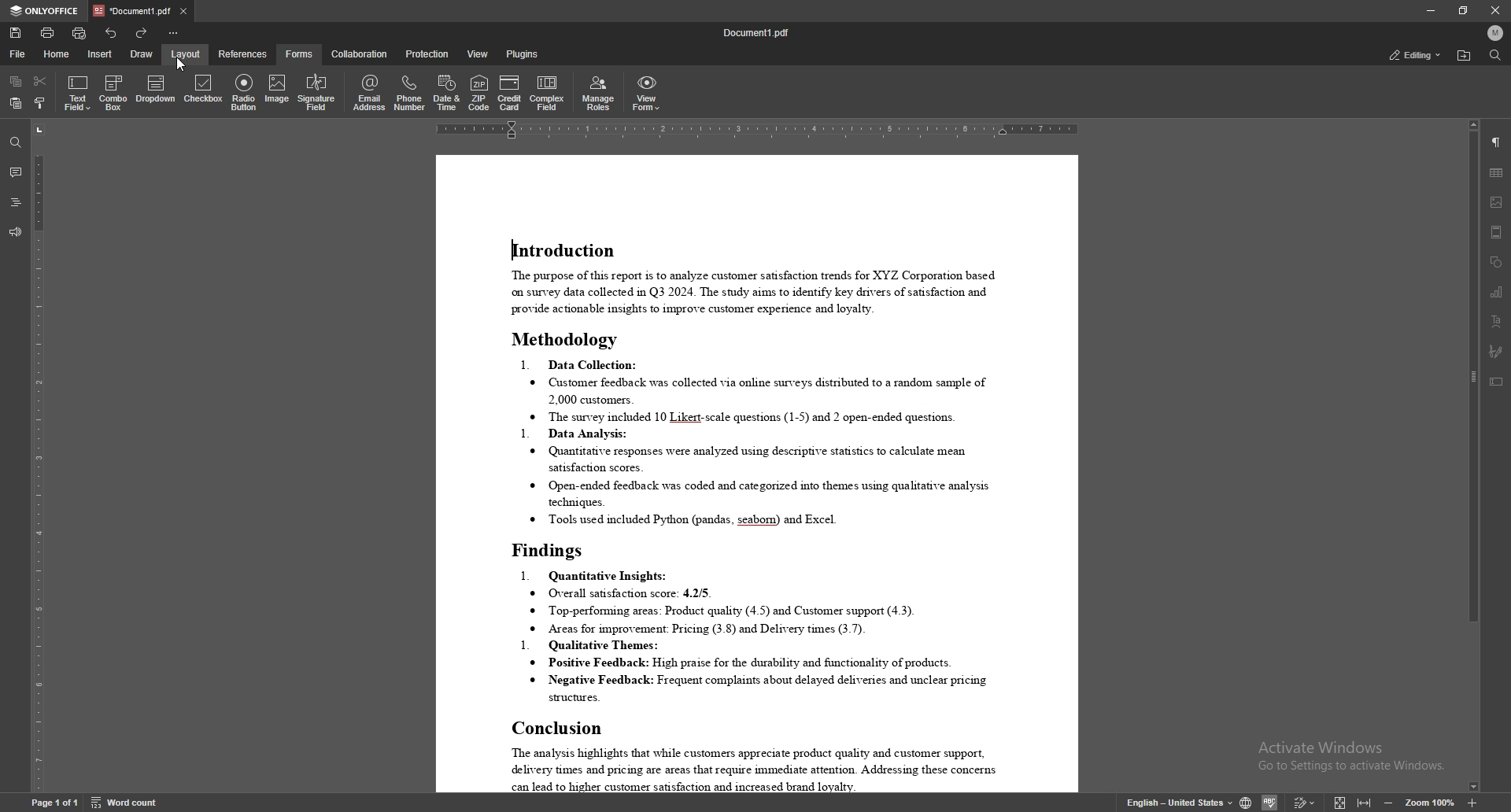 The image size is (1511, 812). Describe the element at coordinates (1497, 232) in the screenshot. I see `header/footer` at that location.